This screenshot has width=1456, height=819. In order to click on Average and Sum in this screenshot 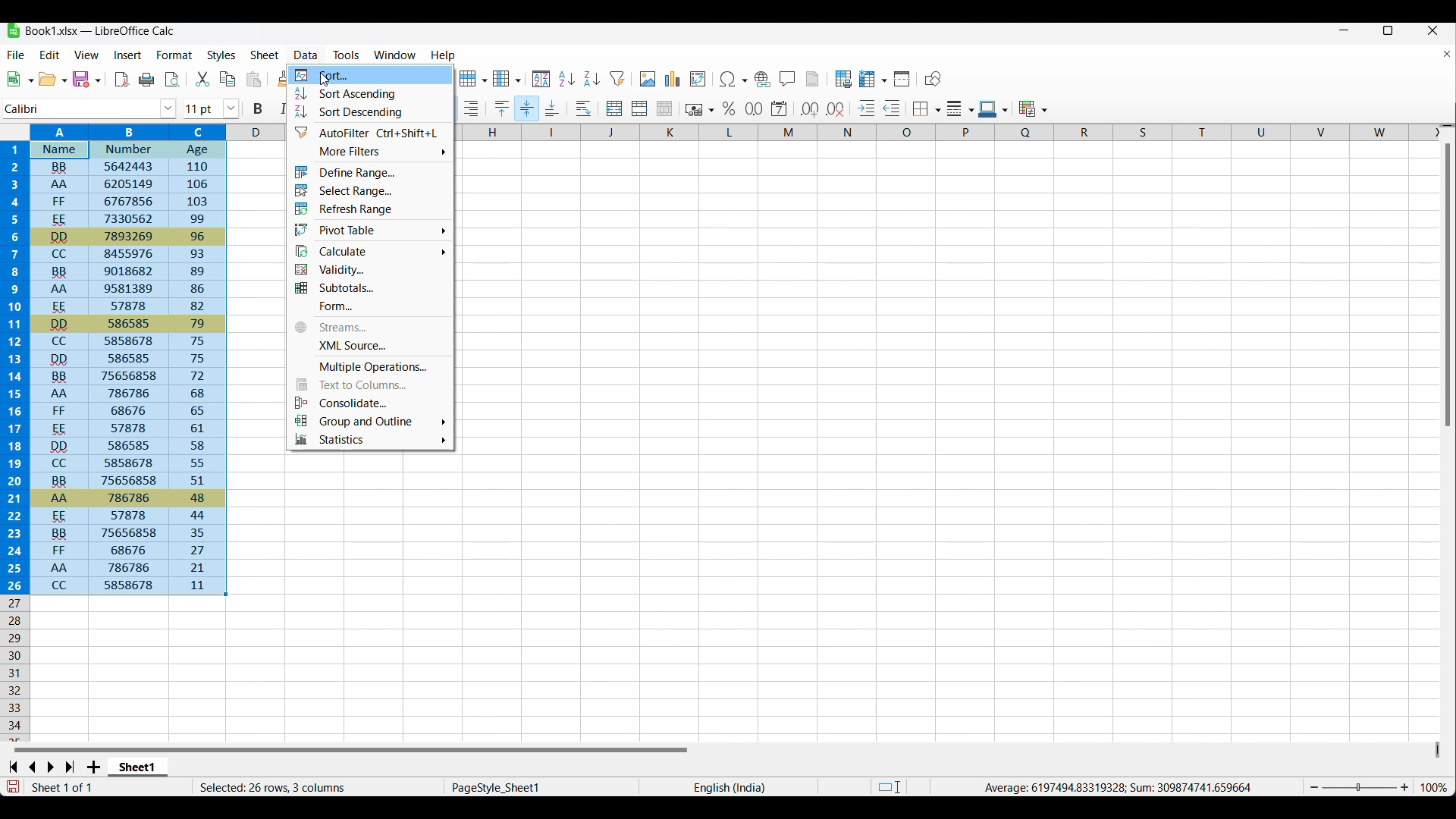, I will do `click(1116, 787)`.